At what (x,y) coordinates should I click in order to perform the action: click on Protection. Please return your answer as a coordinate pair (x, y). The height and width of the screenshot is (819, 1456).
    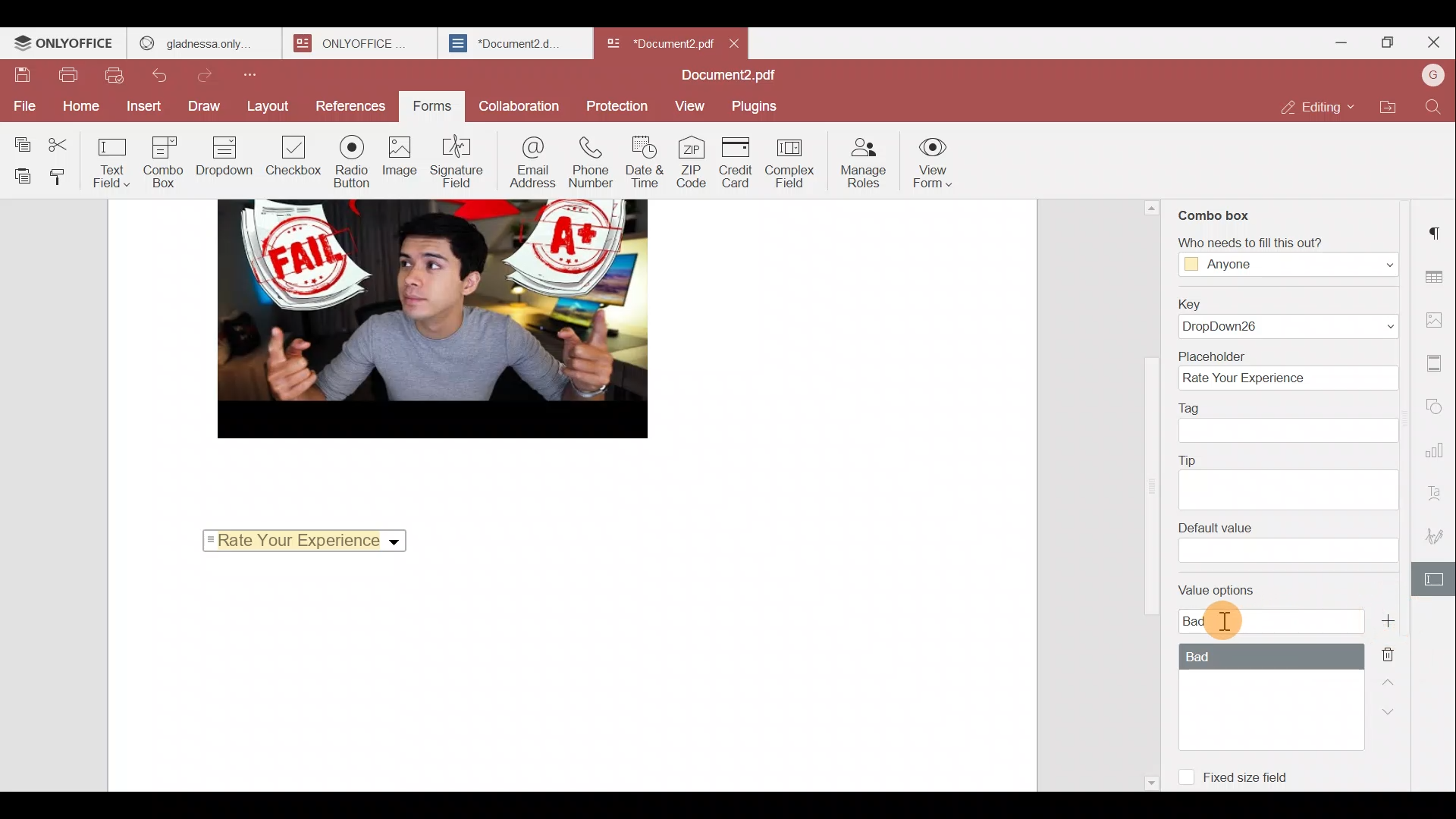
    Looking at the image, I should click on (616, 103).